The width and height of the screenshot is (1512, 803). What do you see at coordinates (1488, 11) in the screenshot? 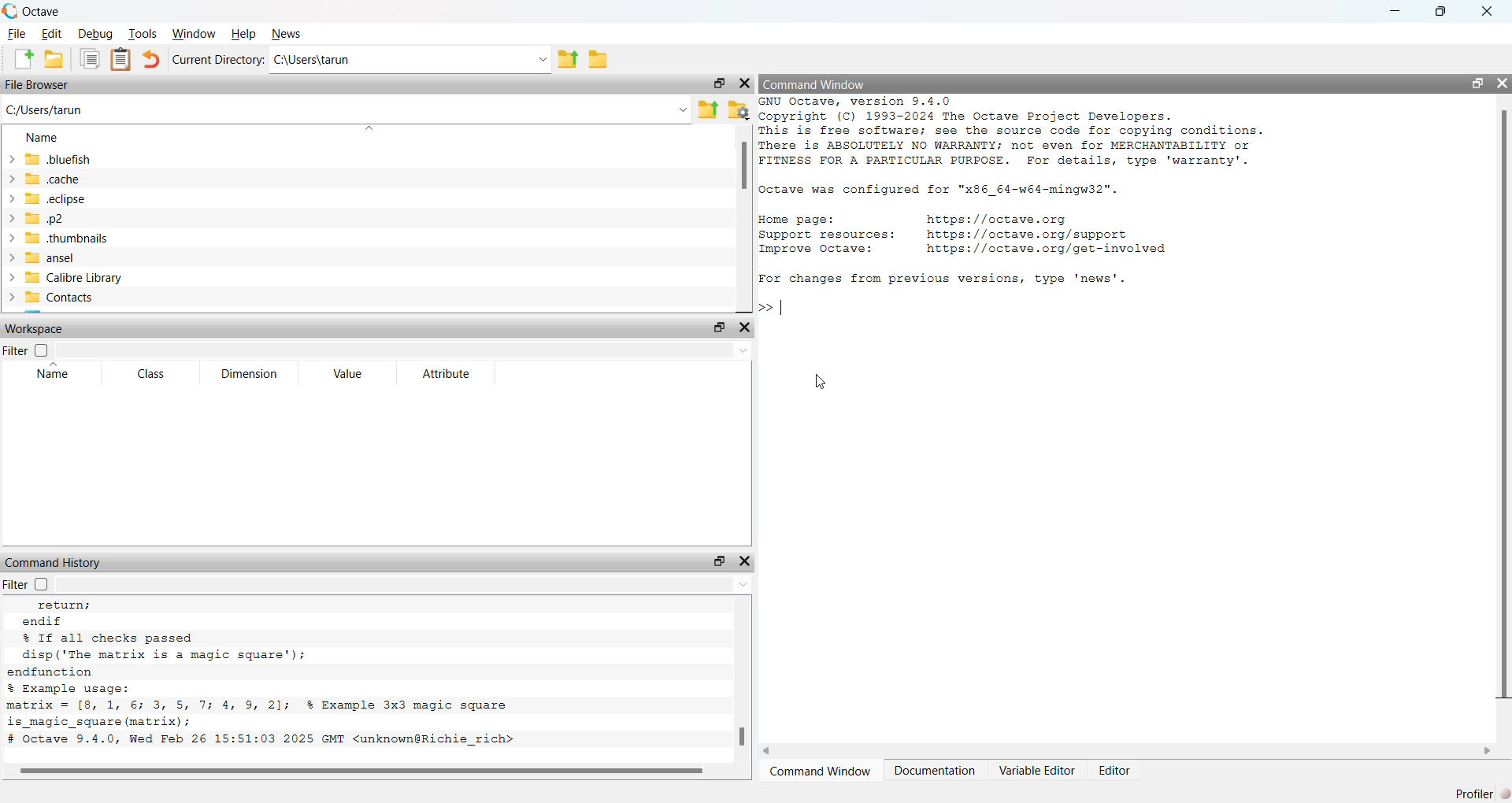
I see `close` at bounding box center [1488, 11].